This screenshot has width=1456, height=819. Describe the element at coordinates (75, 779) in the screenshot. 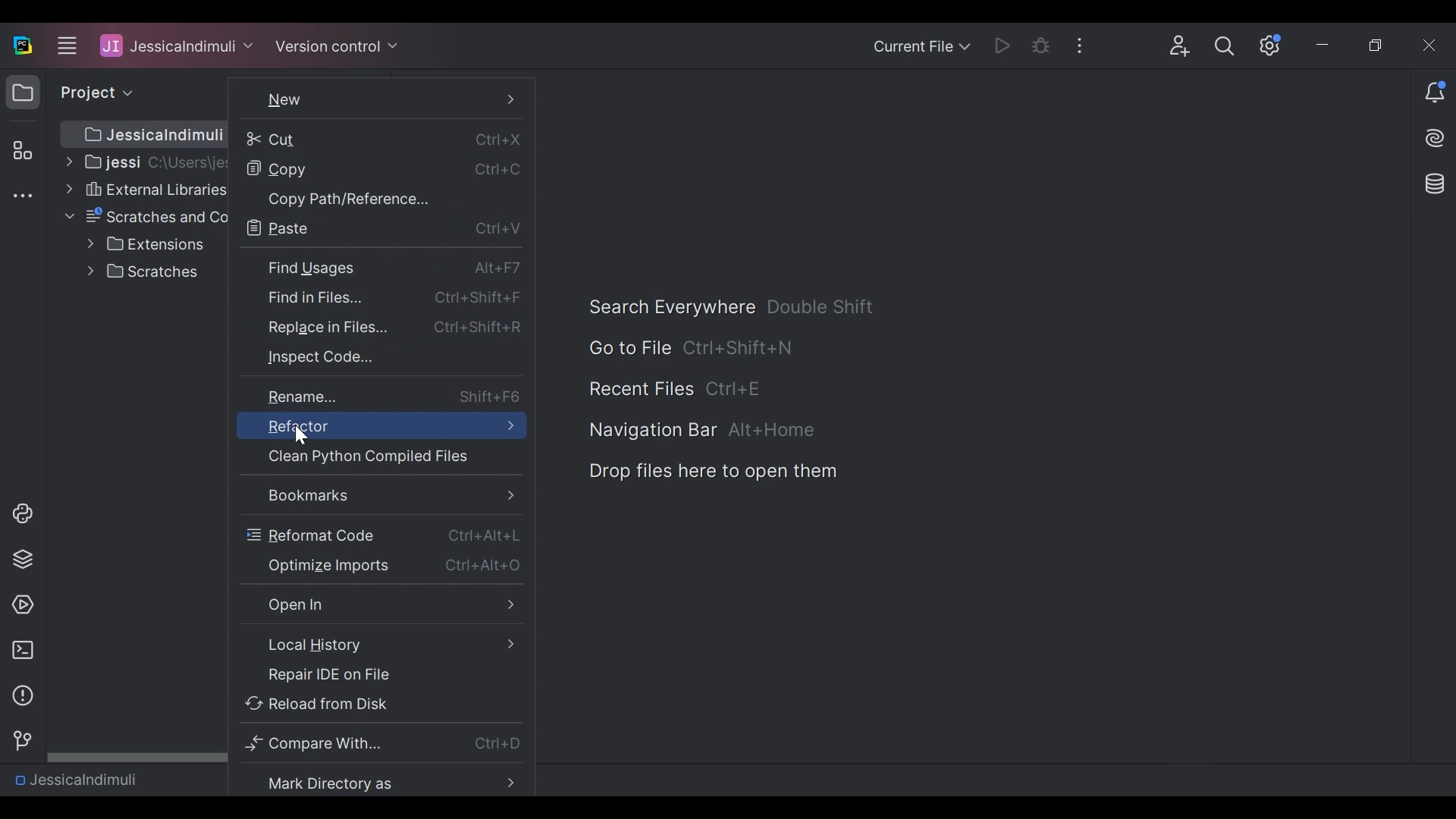

I see `Project Name` at that location.